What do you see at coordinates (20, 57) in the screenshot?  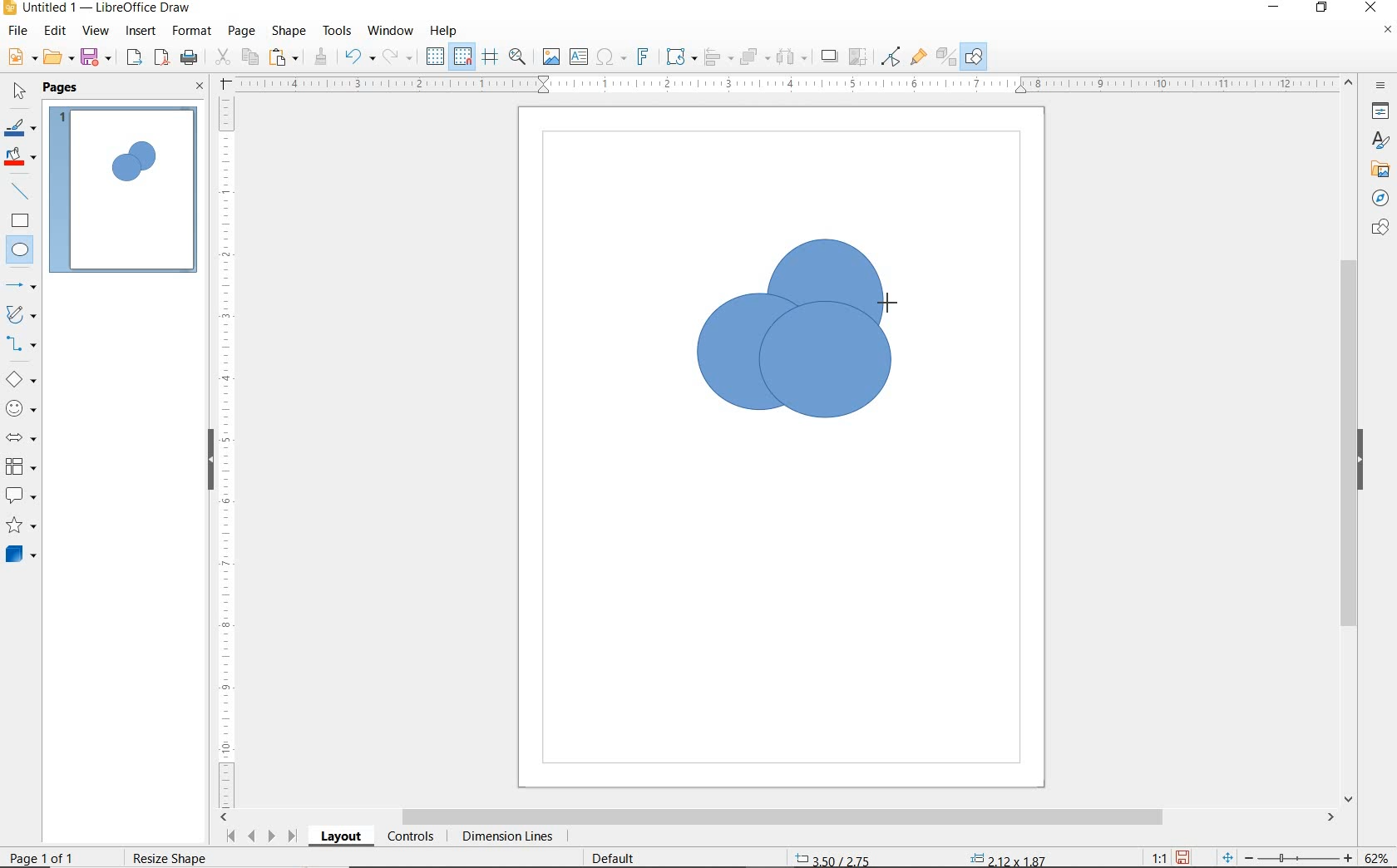 I see `NEW` at bounding box center [20, 57].